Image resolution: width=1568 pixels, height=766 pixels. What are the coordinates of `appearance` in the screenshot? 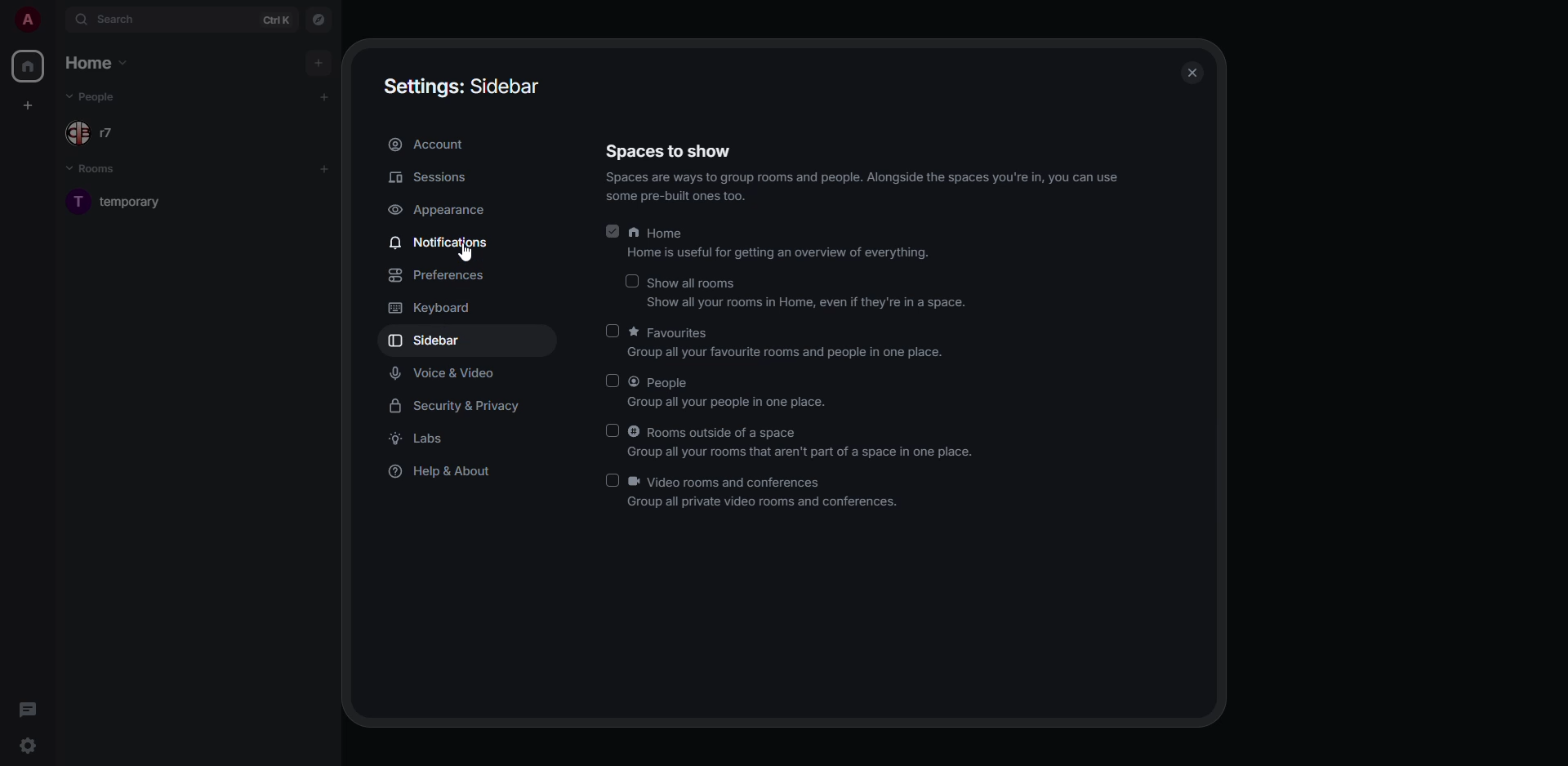 It's located at (443, 212).